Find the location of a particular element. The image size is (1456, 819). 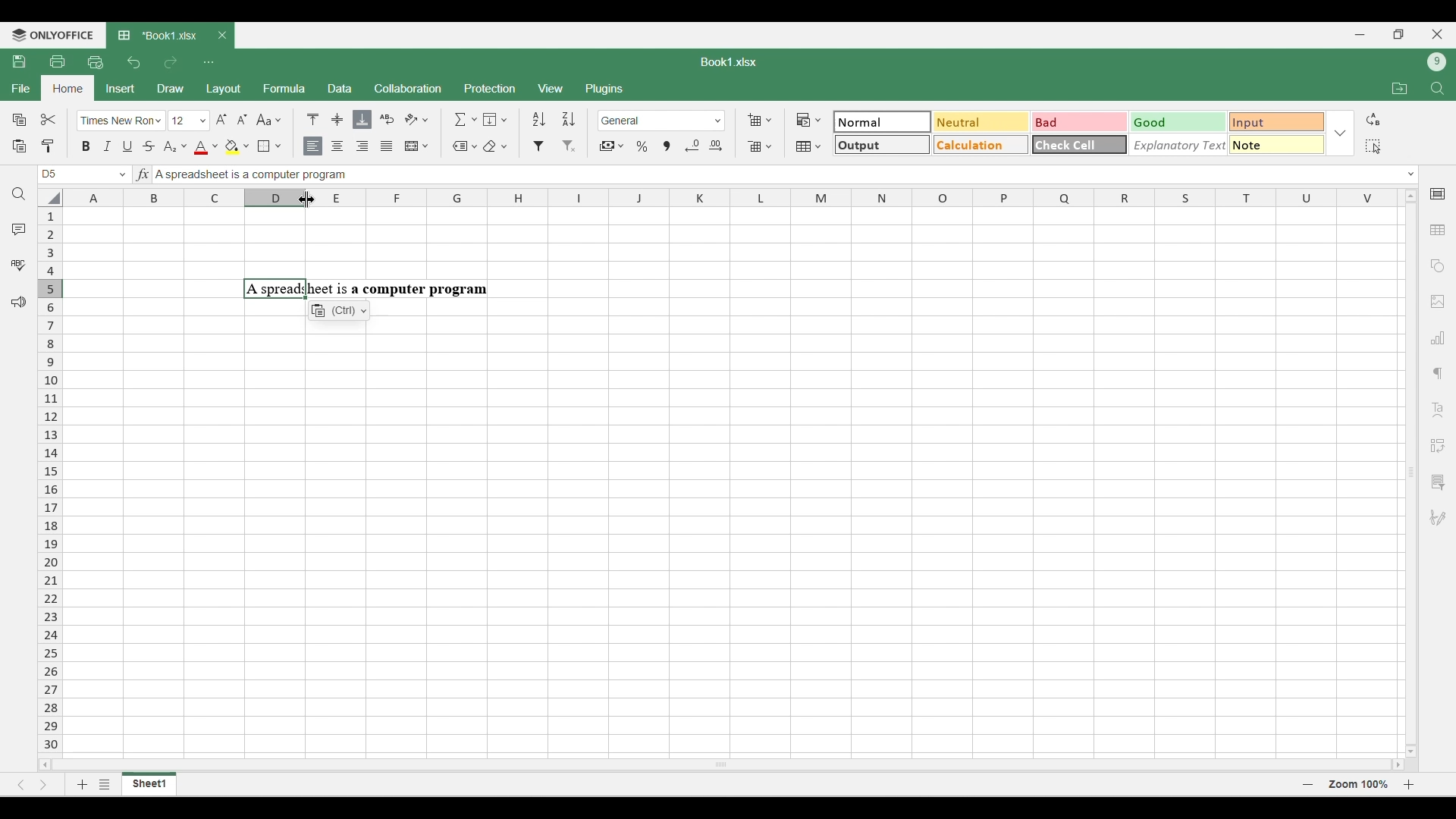

Alignment options is located at coordinates (350, 147).